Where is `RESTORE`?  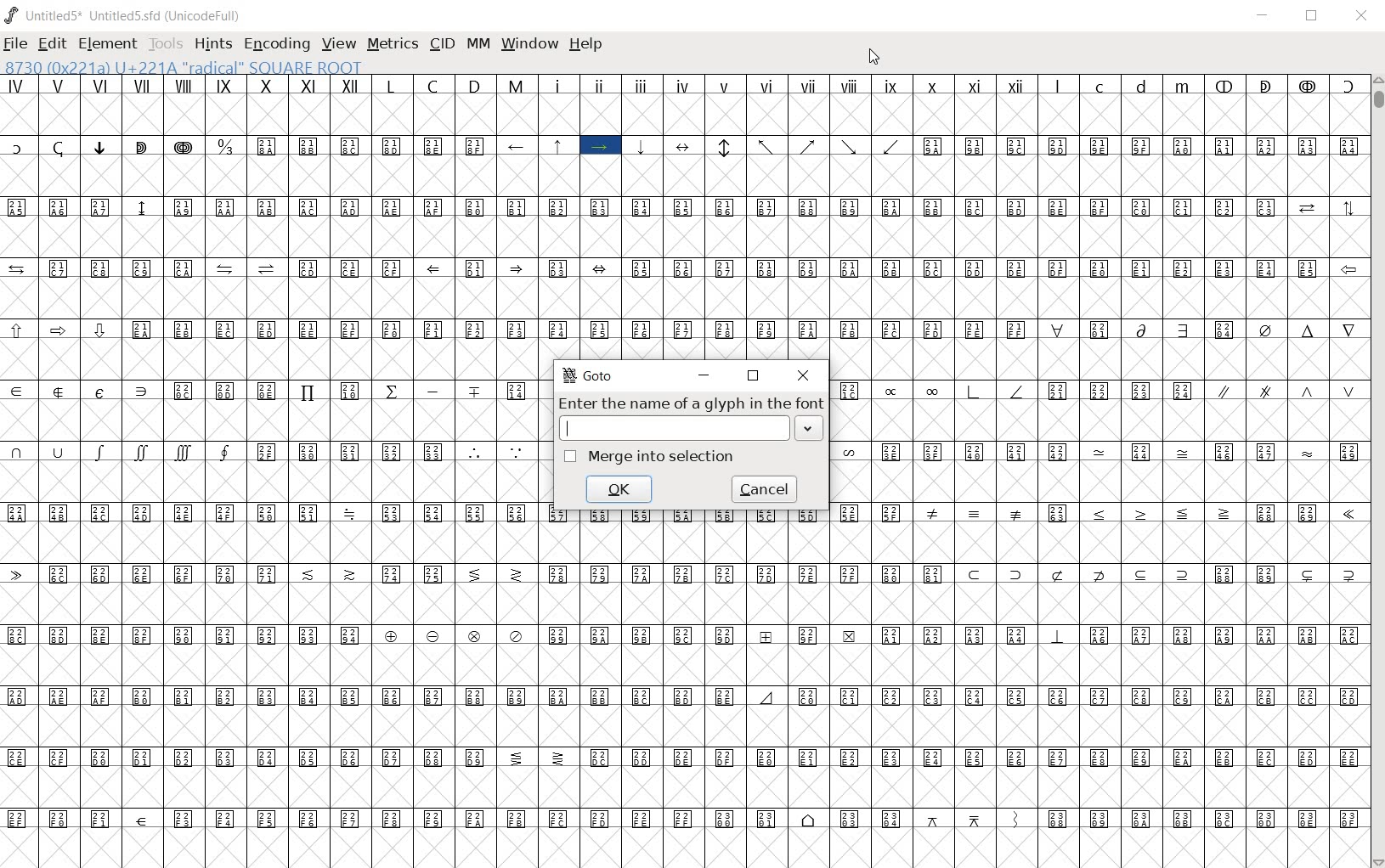
RESTORE is located at coordinates (753, 376).